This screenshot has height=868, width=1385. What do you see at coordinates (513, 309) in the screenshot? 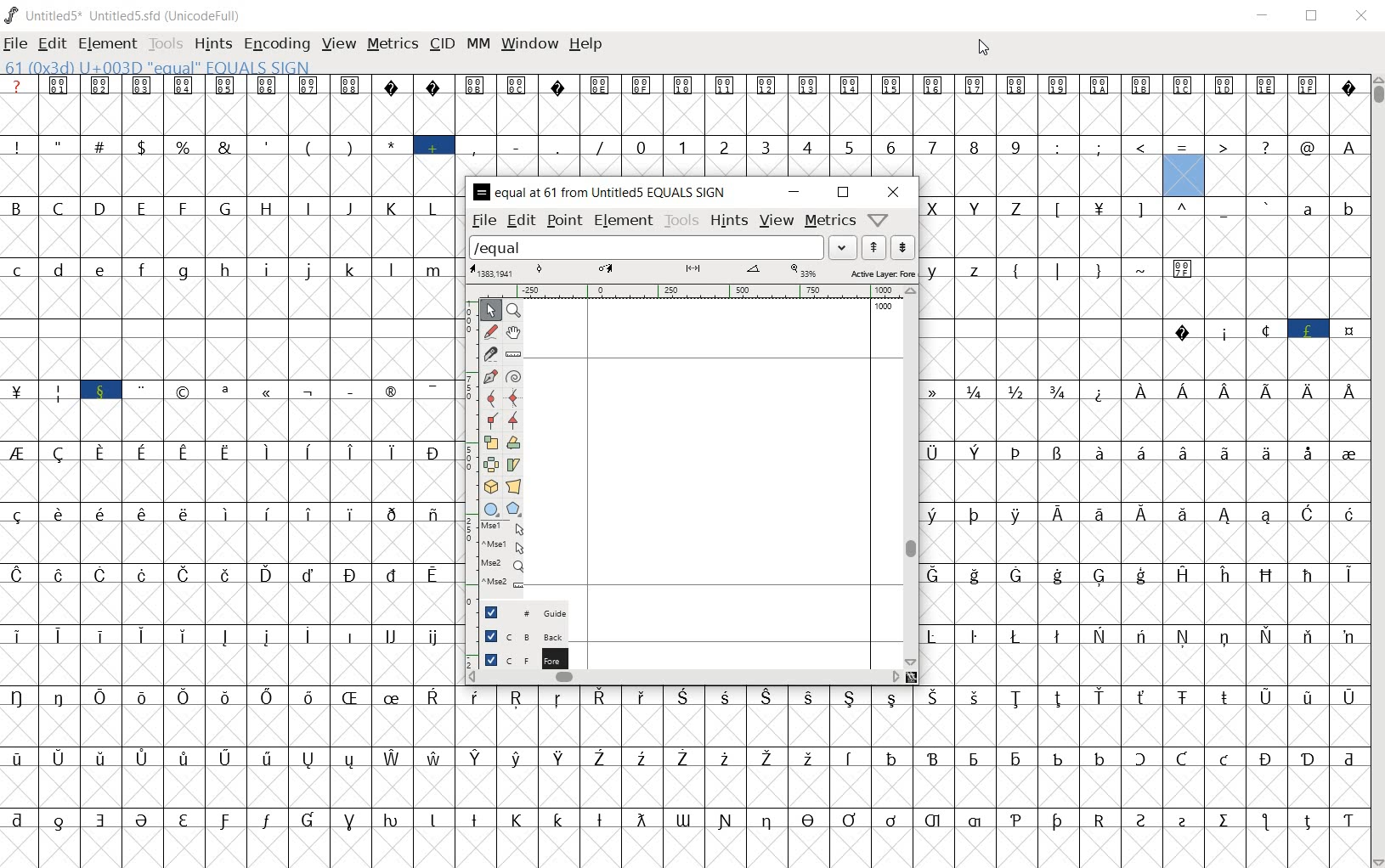
I see `MAGNIFY` at bounding box center [513, 309].